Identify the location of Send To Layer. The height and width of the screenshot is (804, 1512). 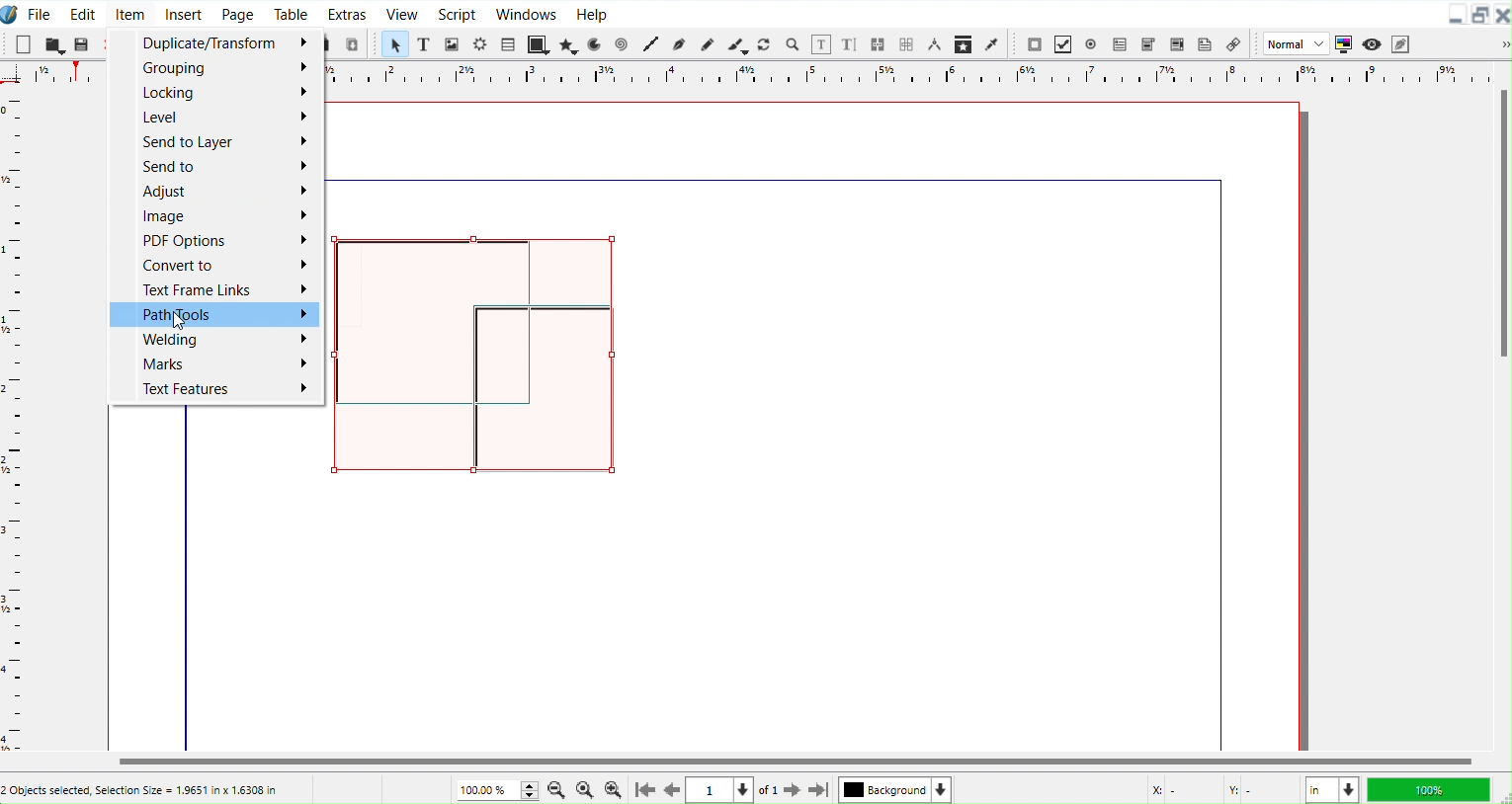
(215, 142).